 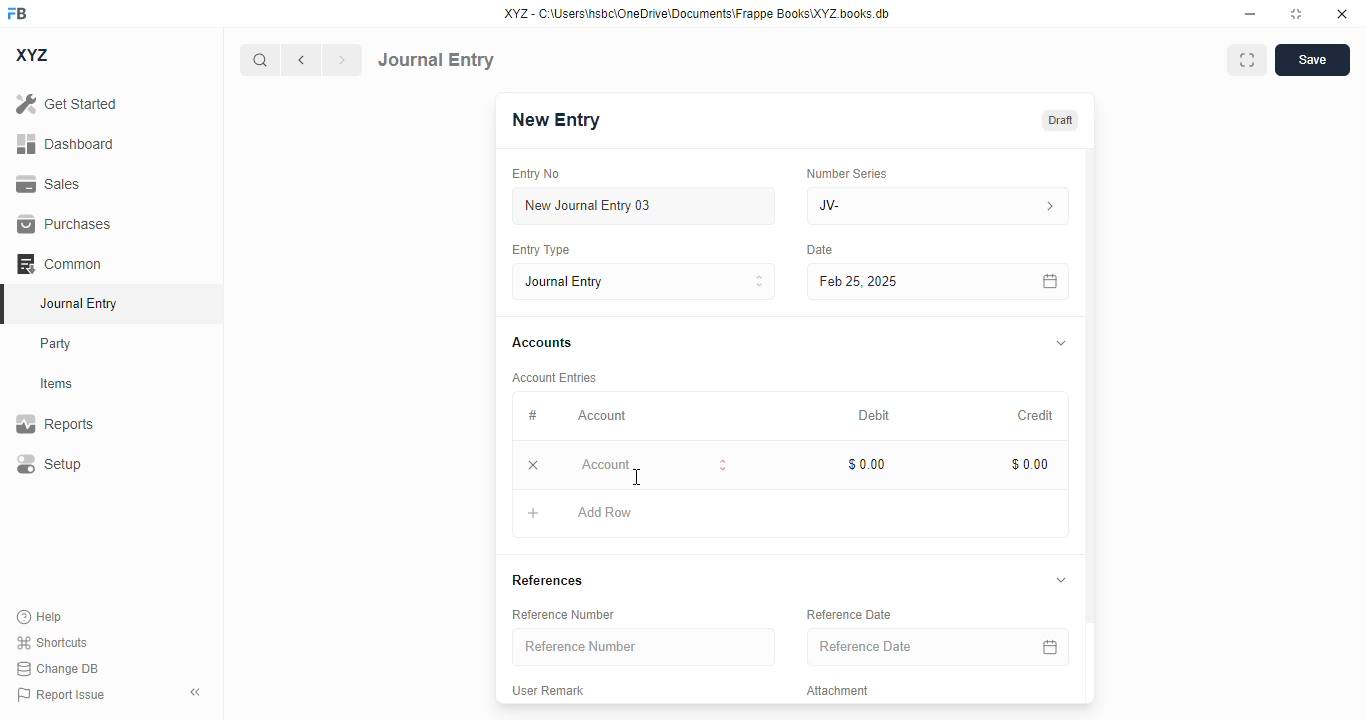 I want to click on save, so click(x=1313, y=60).